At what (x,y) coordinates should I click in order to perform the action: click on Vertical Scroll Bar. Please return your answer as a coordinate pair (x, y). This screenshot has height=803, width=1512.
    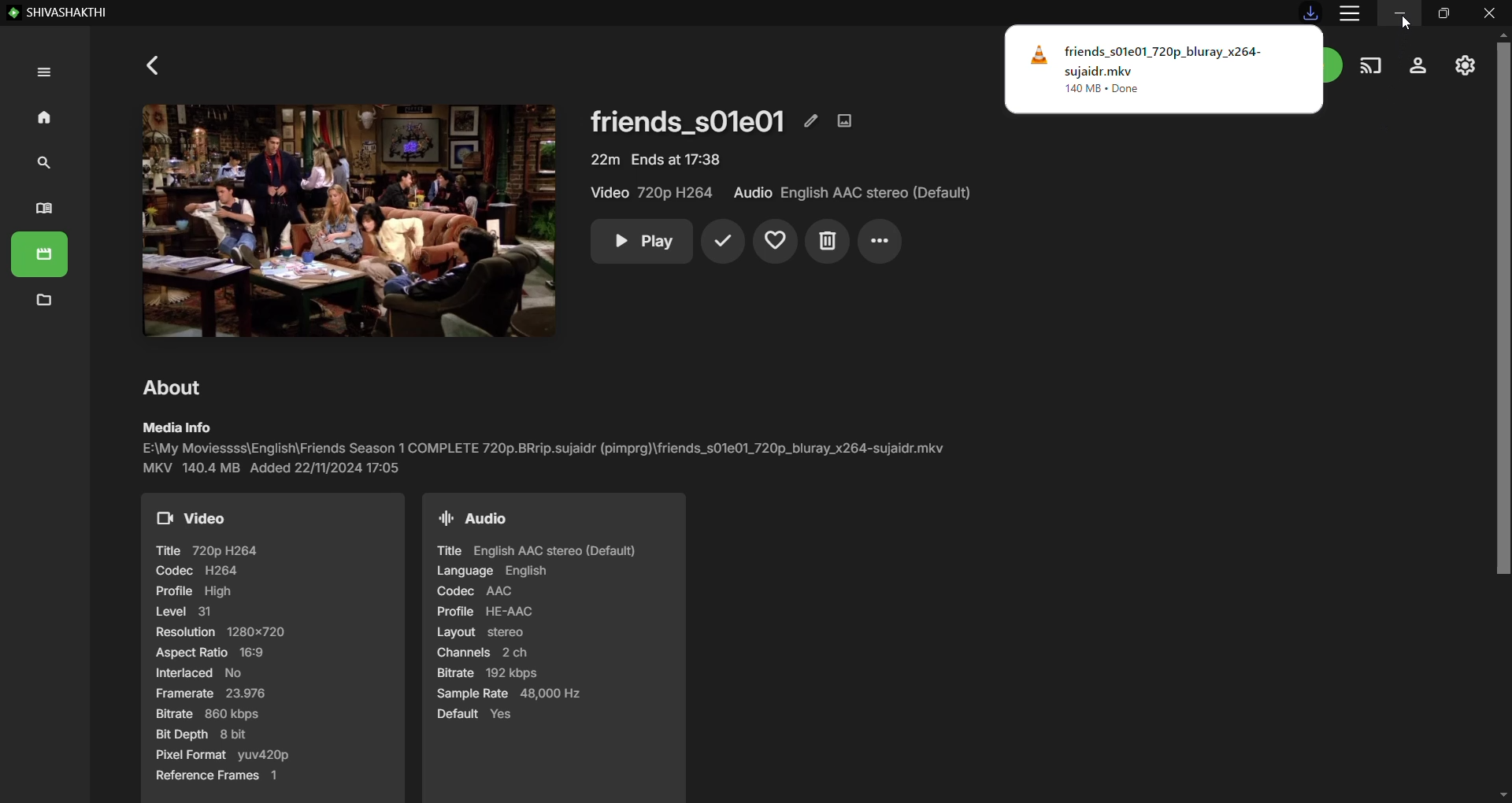
    Looking at the image, I should click on (1503, 415).